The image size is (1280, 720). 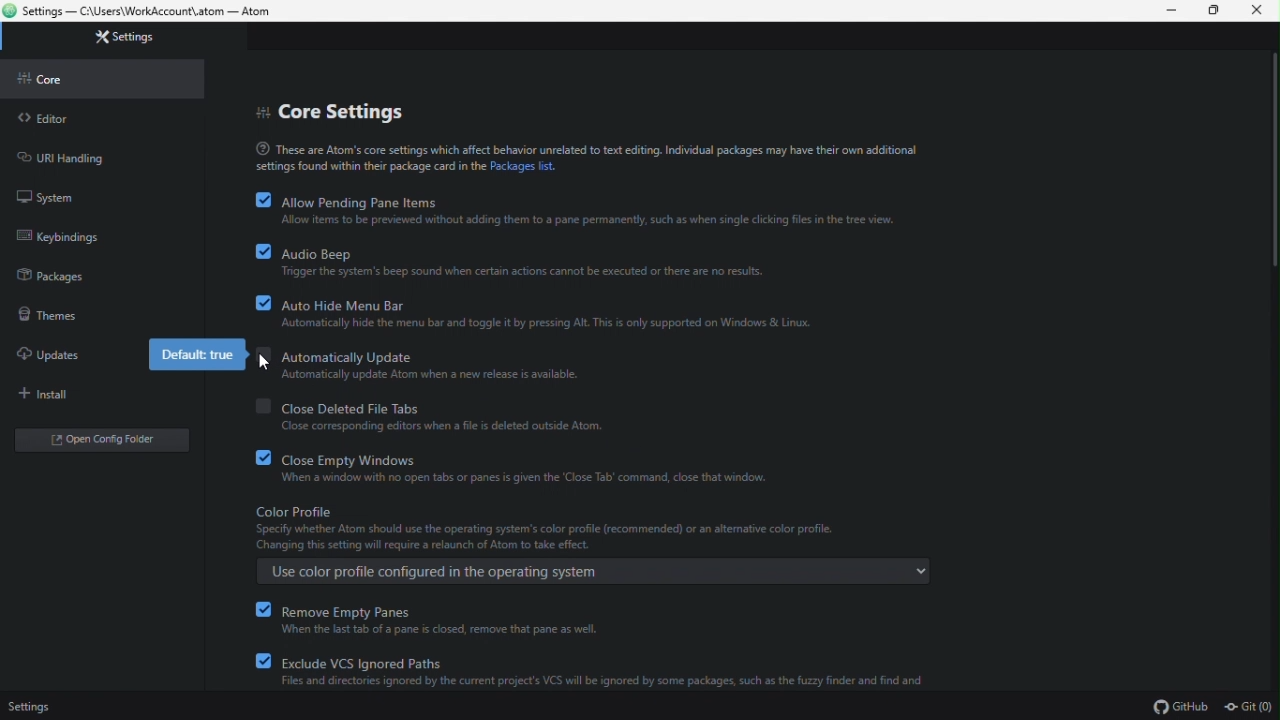 What do you see at coordinates (37, 704) in the screenshot?
I see `Settings` at bounding box center [37, 704].